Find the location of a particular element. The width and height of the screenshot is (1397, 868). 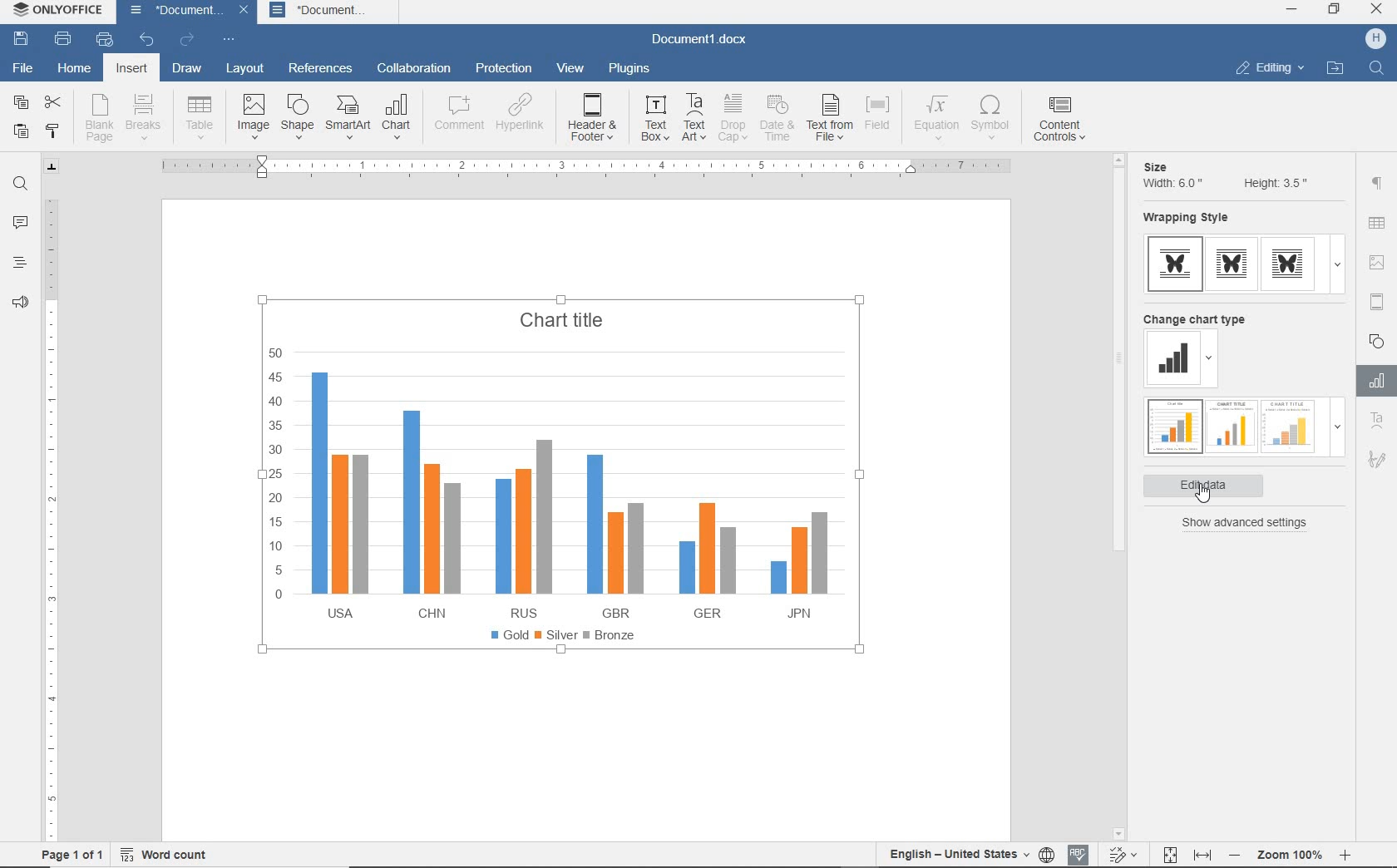

copy is located at coordinates (20, 103).